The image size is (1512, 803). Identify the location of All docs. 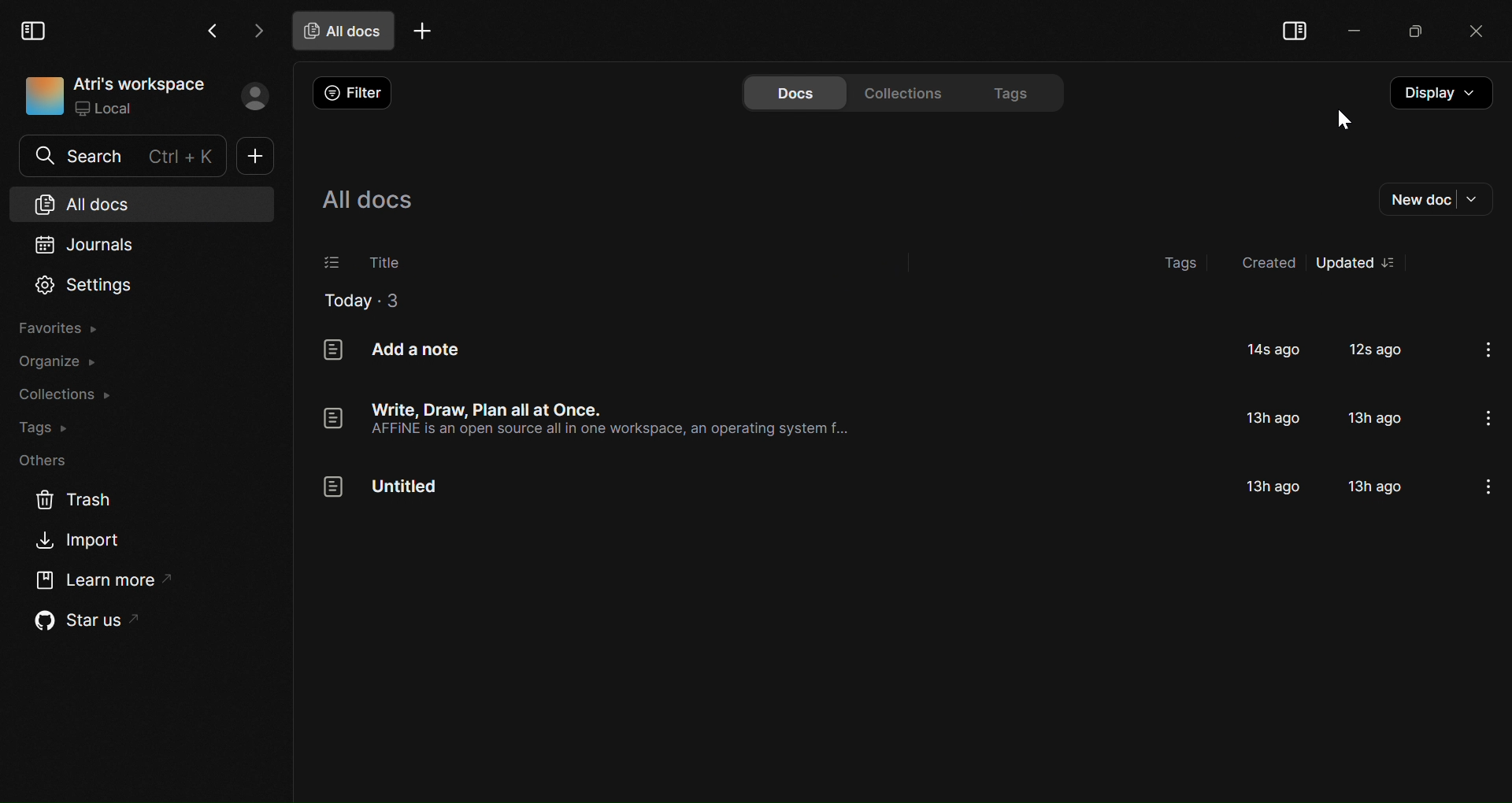
(96, 203).